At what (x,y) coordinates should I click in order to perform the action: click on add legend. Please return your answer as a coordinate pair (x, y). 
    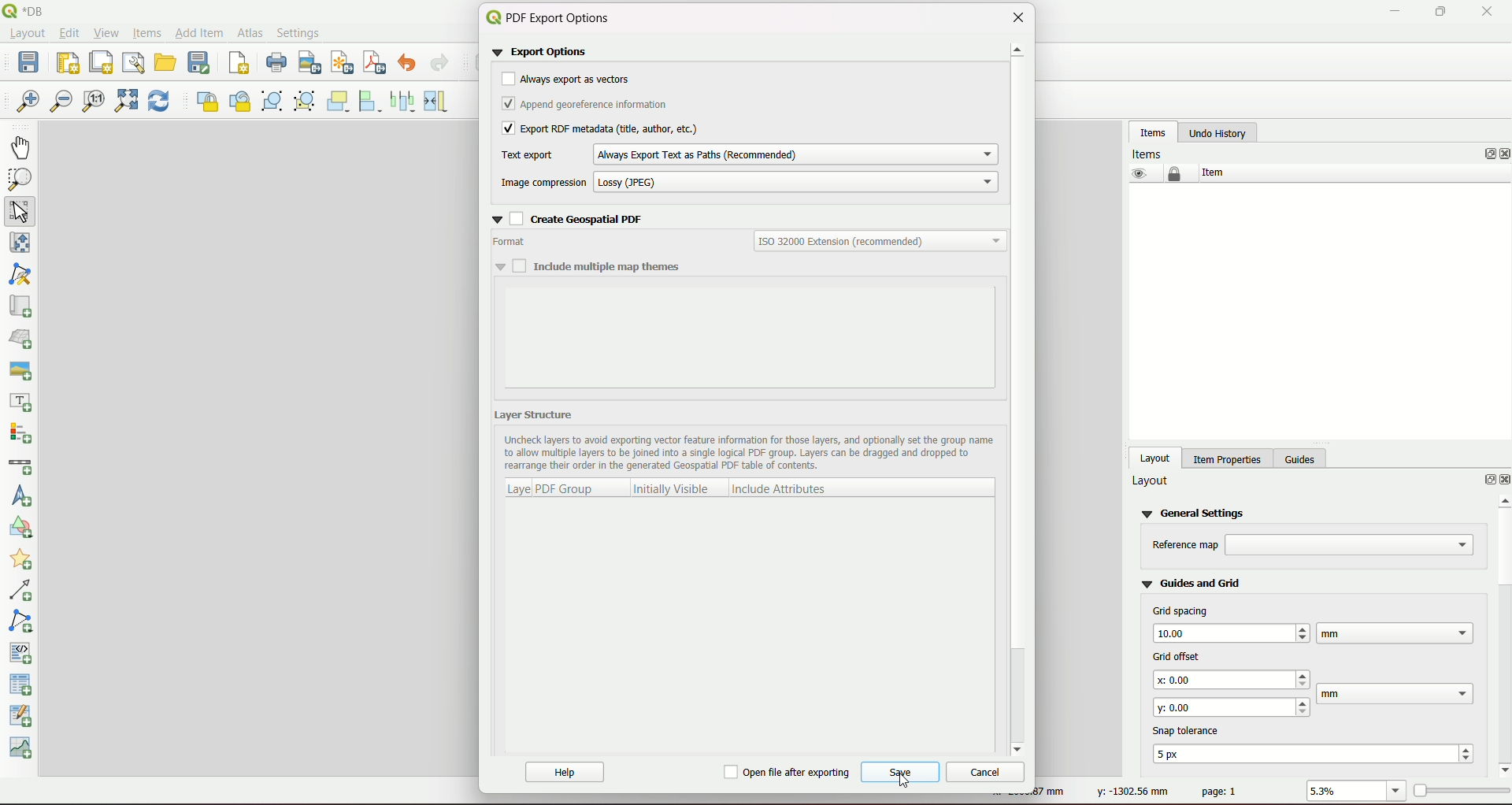
    Looking at the image, I should click on (23, 434).